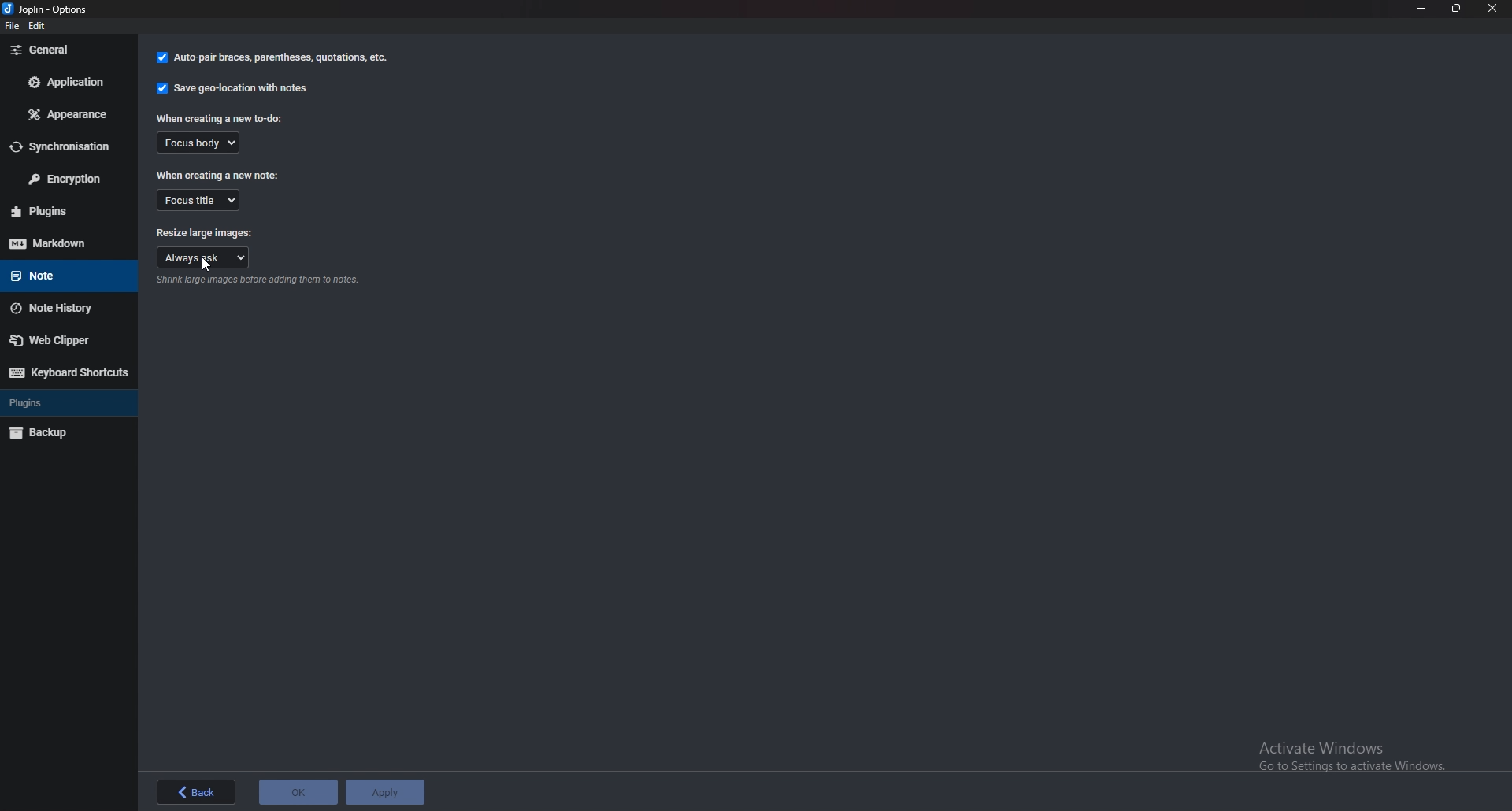 The width and height of the screenshot is (1512, 811). I want to click on close, so click(1493, 9).